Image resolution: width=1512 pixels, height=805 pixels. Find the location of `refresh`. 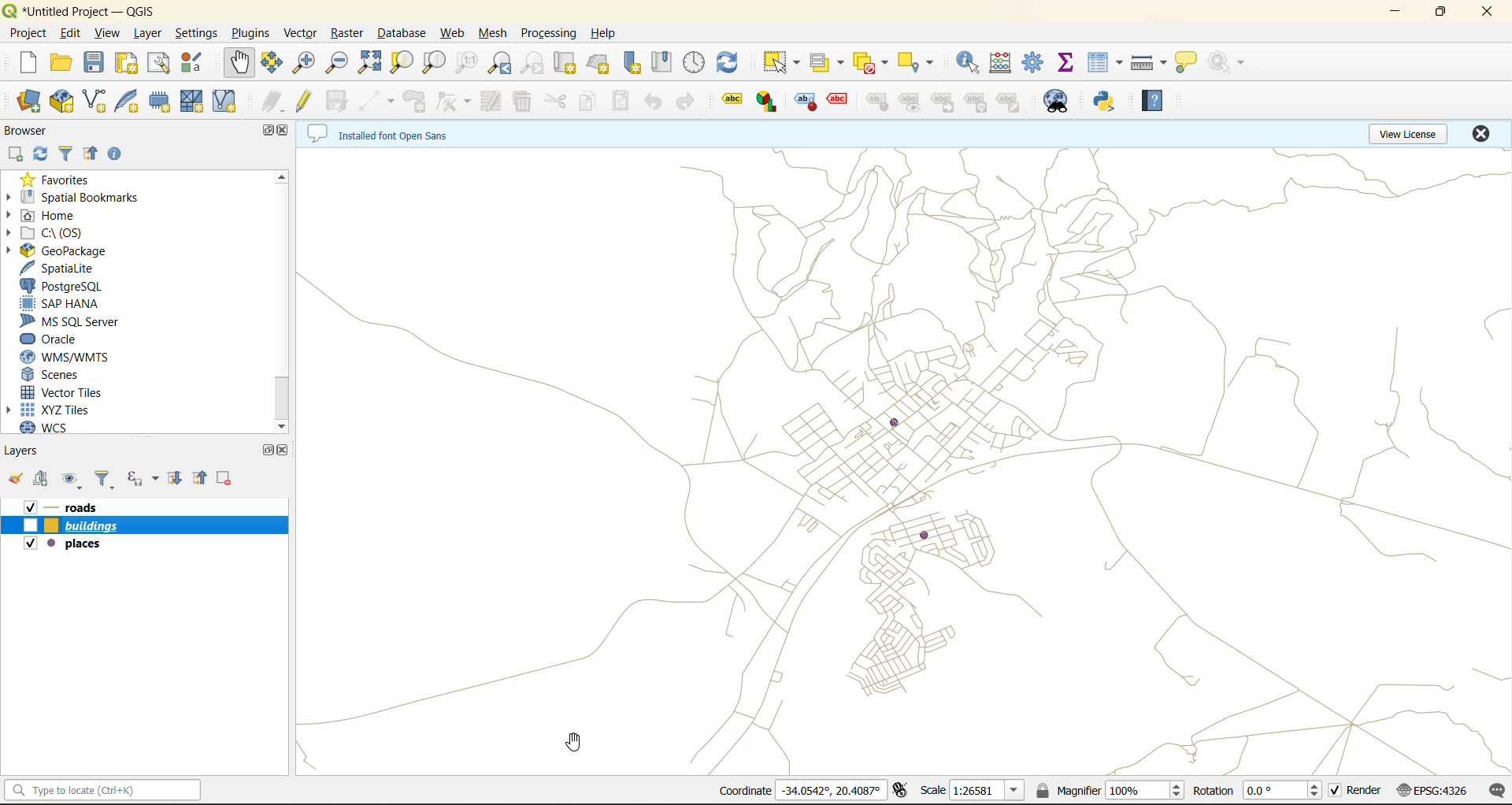

refresh is located at coordinates (45, 153).